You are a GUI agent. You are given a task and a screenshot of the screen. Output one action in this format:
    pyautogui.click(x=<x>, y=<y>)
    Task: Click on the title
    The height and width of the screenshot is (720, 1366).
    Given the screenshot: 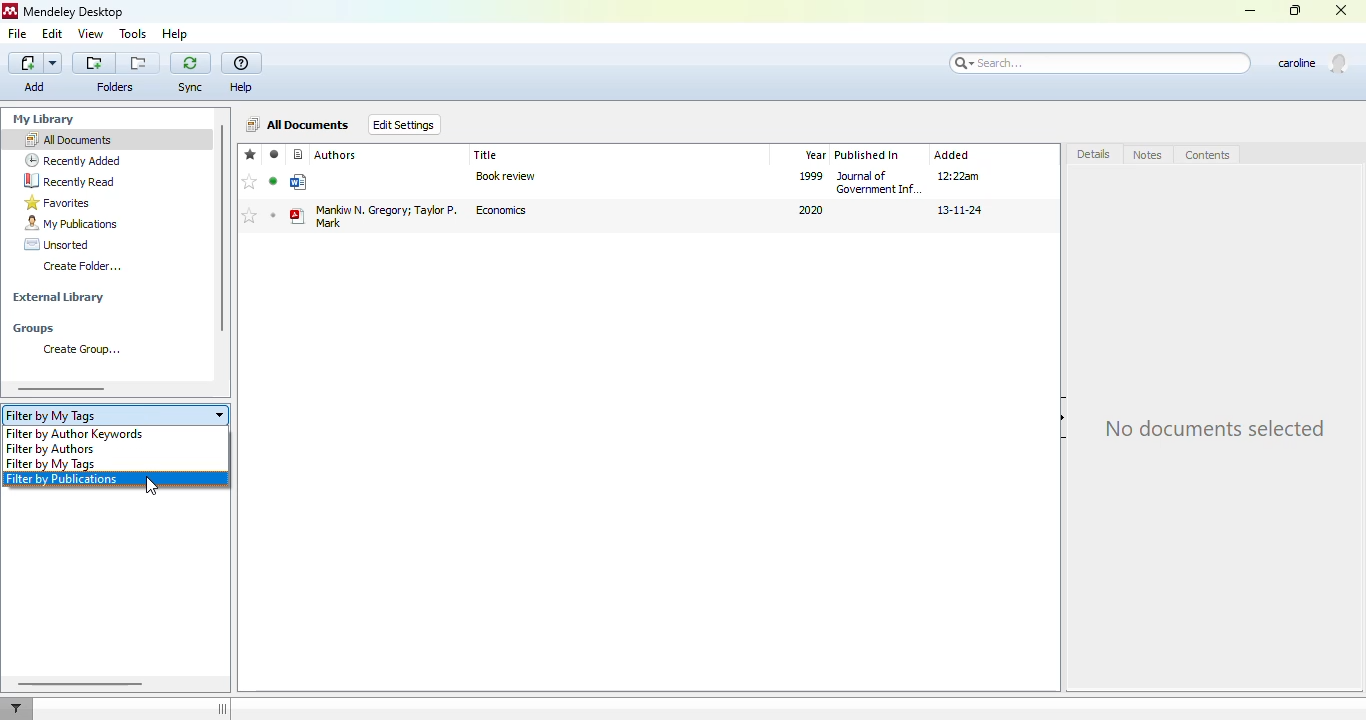 What is the action you would take?
    pyautogui.click(x=486, y=154)
    